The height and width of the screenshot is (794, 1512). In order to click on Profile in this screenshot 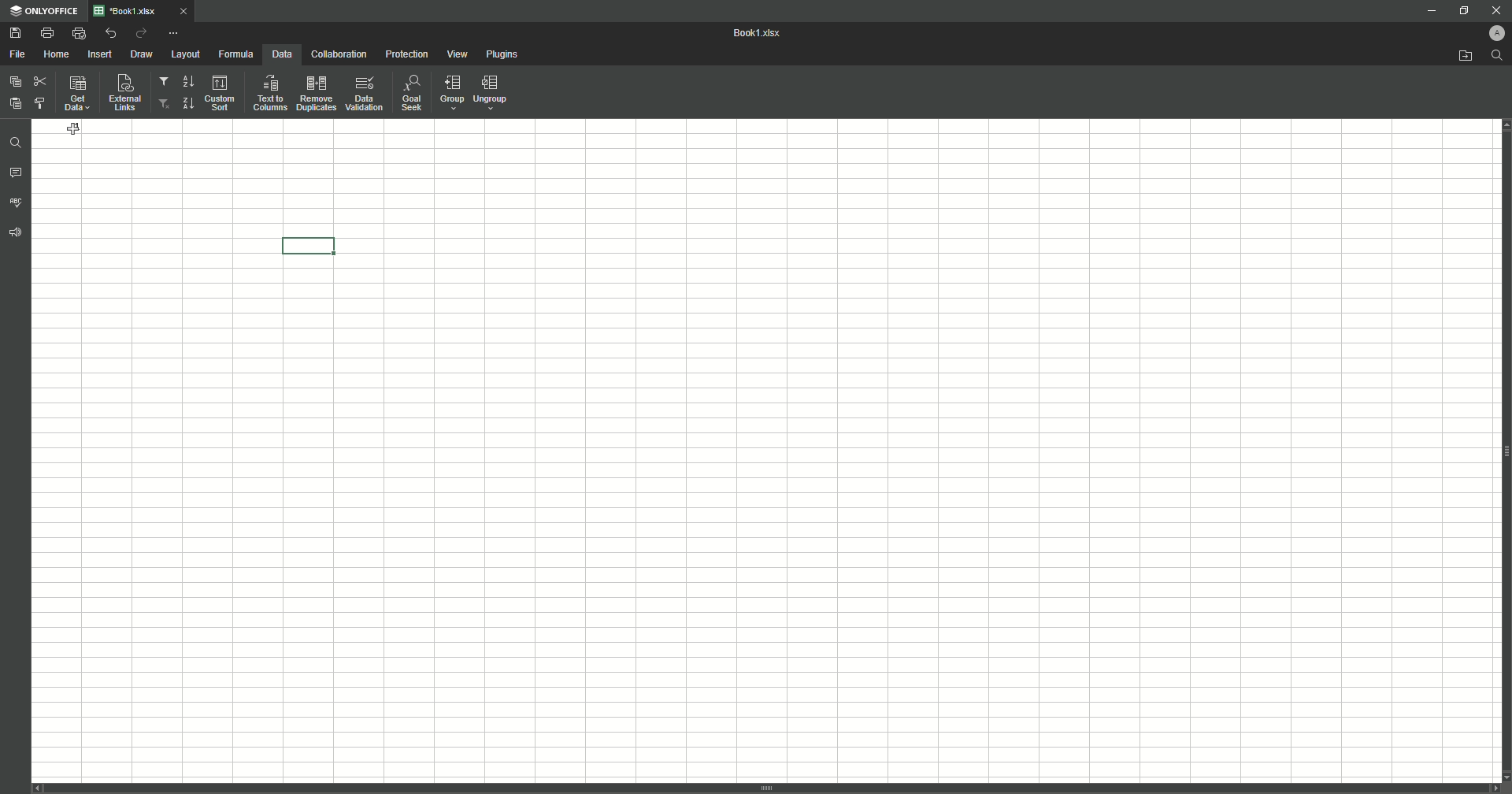, I will do `click(1491, 33)`.